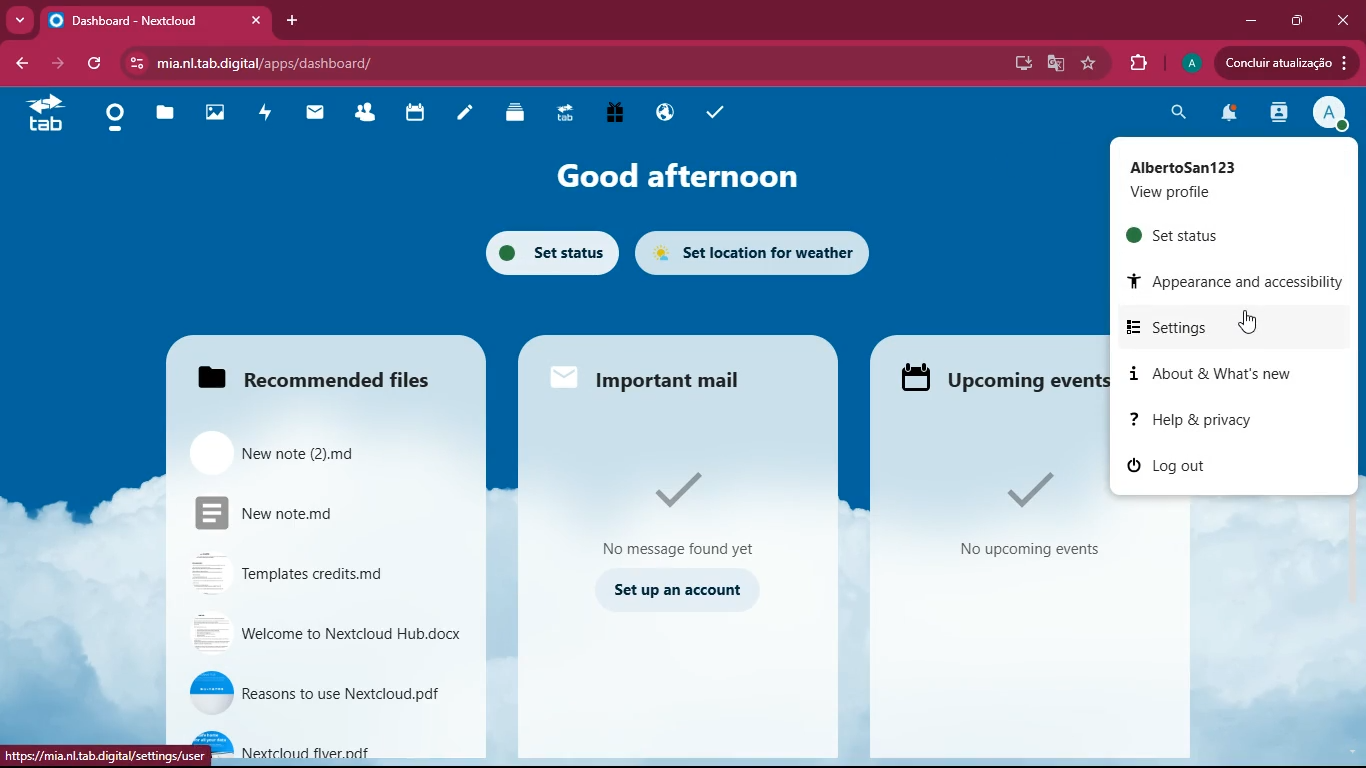 The width and height of the screenshot is (1366, 768). What do you see at coordinates (307, 569) in the screenshot?
I see `file` at bounding box center [307, 569].